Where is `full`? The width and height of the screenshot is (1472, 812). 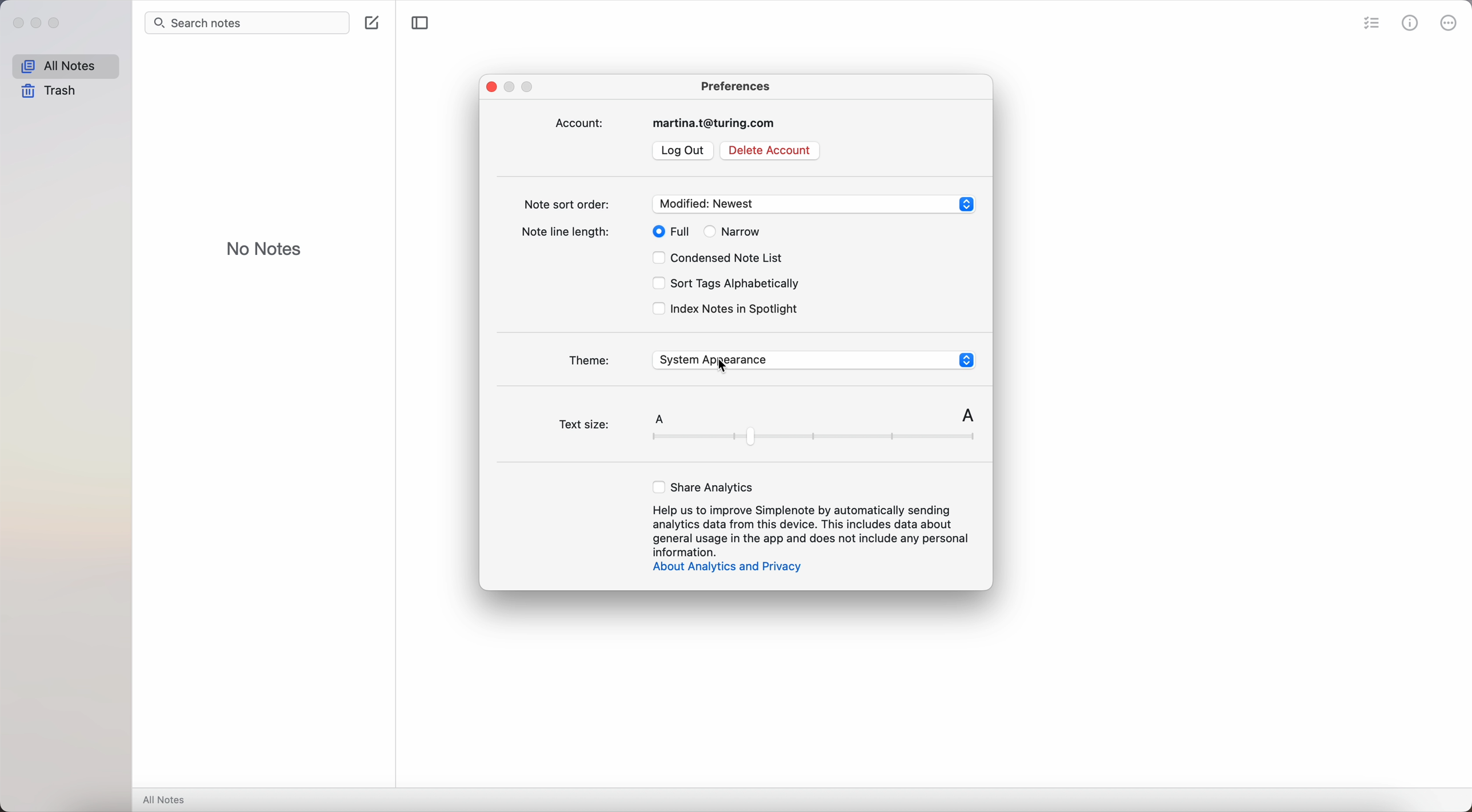
full is located at coordinates (667, 231).